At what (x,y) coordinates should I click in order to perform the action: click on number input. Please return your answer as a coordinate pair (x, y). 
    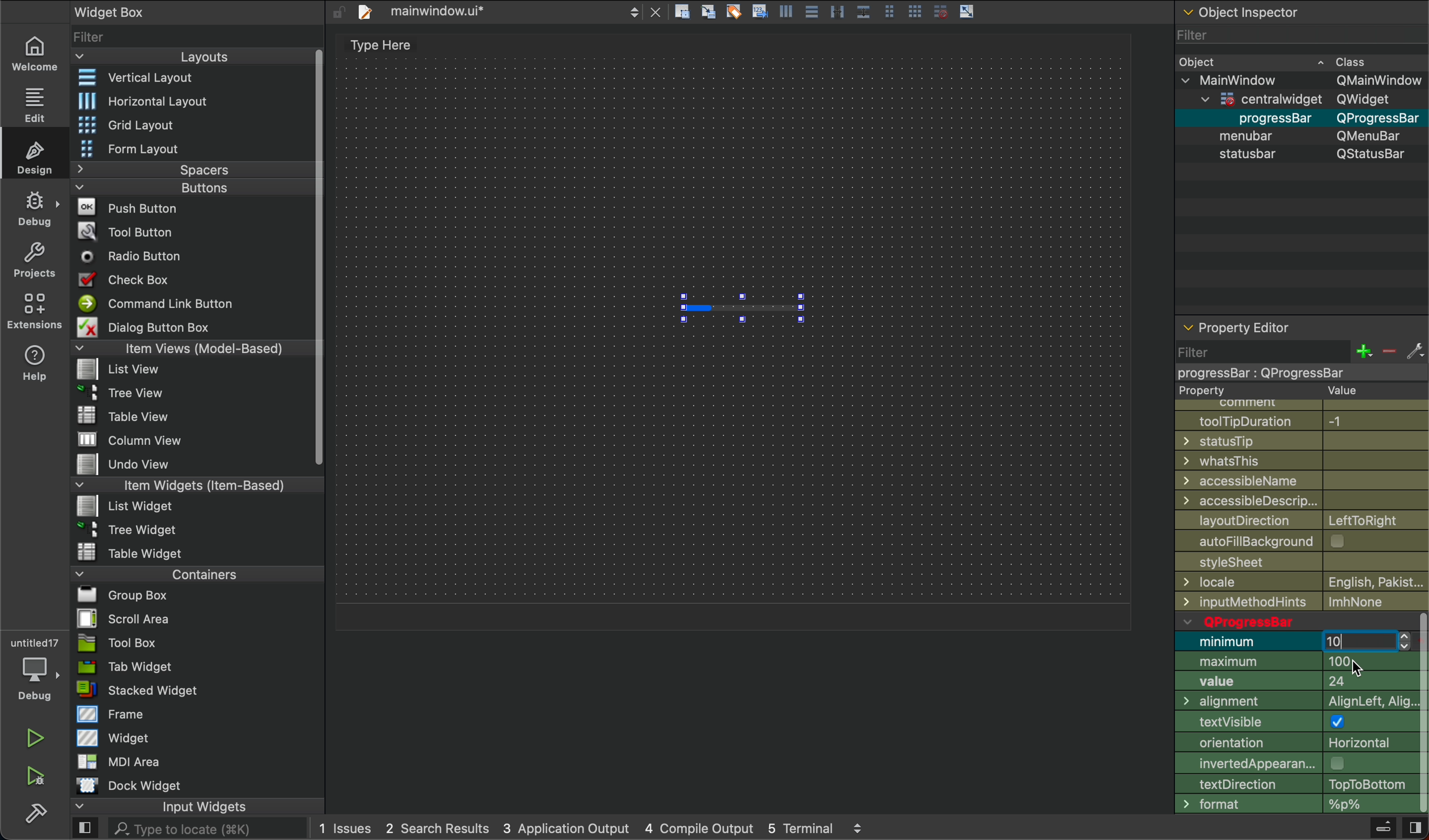
    Looking at the image, I should click on (1366, 641).